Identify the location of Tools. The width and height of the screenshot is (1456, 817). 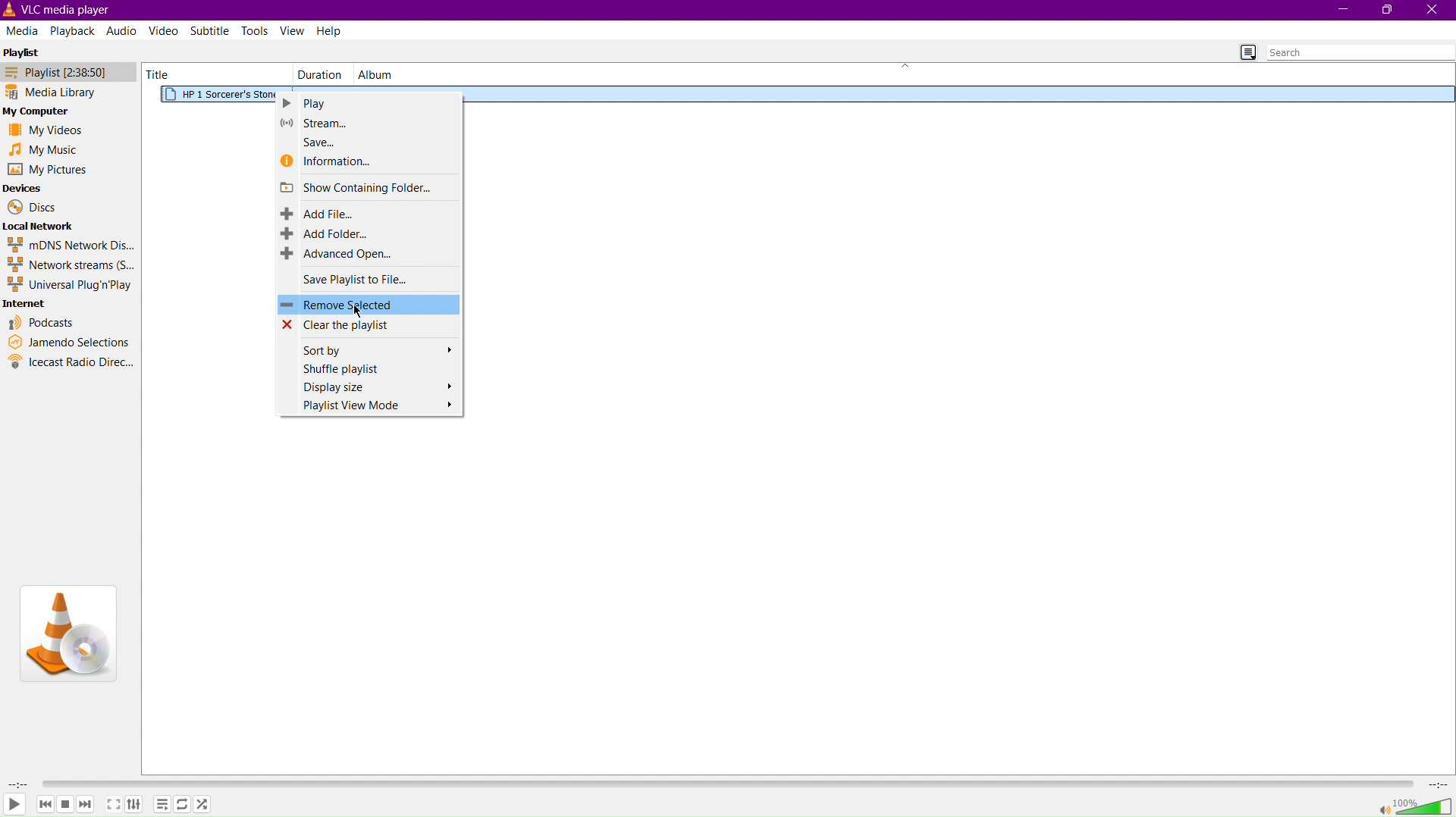
(257, 30).